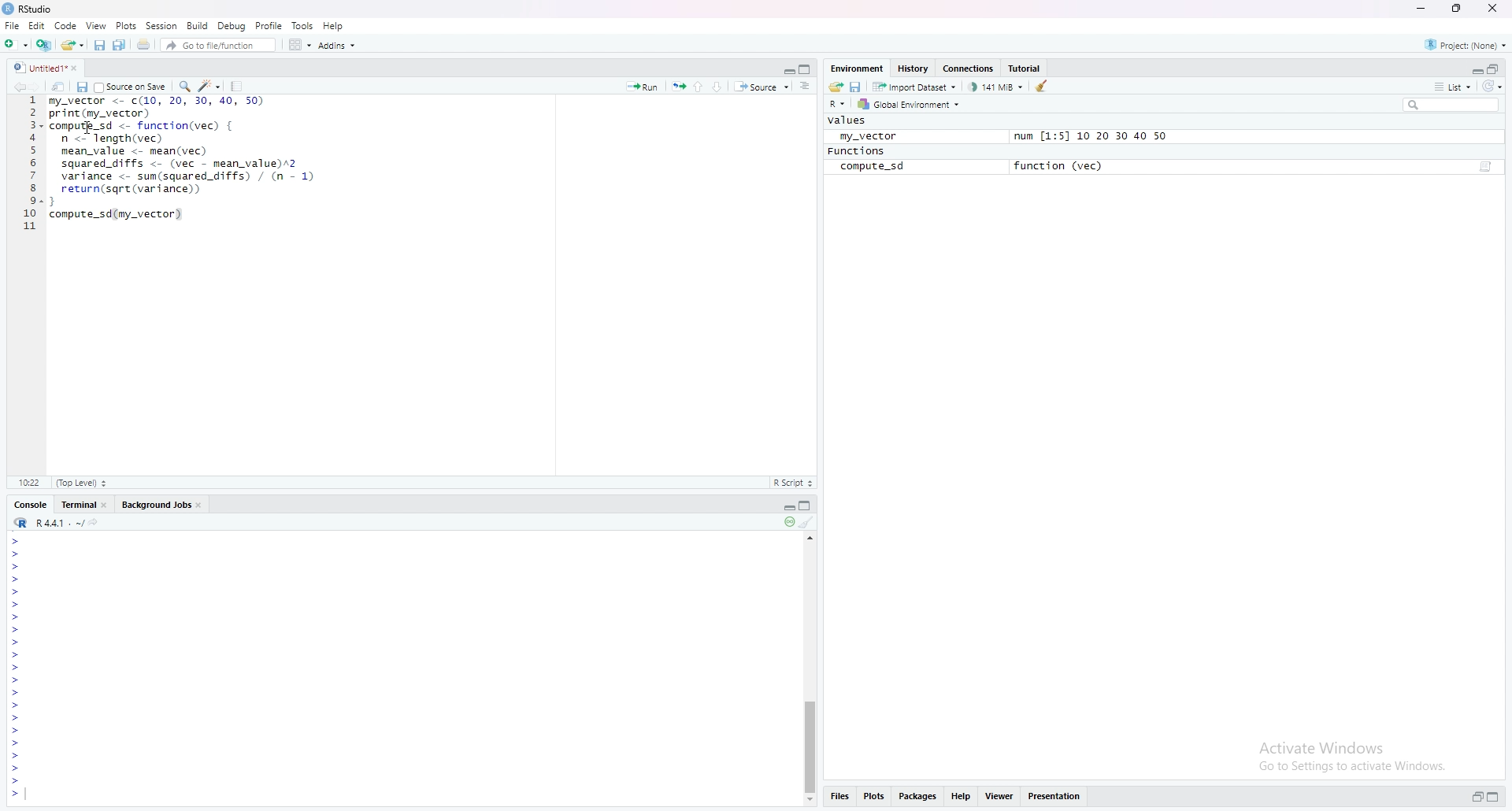  What do you see at coordinates (762, 87) in the screenshot?
I see `Source the contents of the active documents` at bounding box center [762, 87].